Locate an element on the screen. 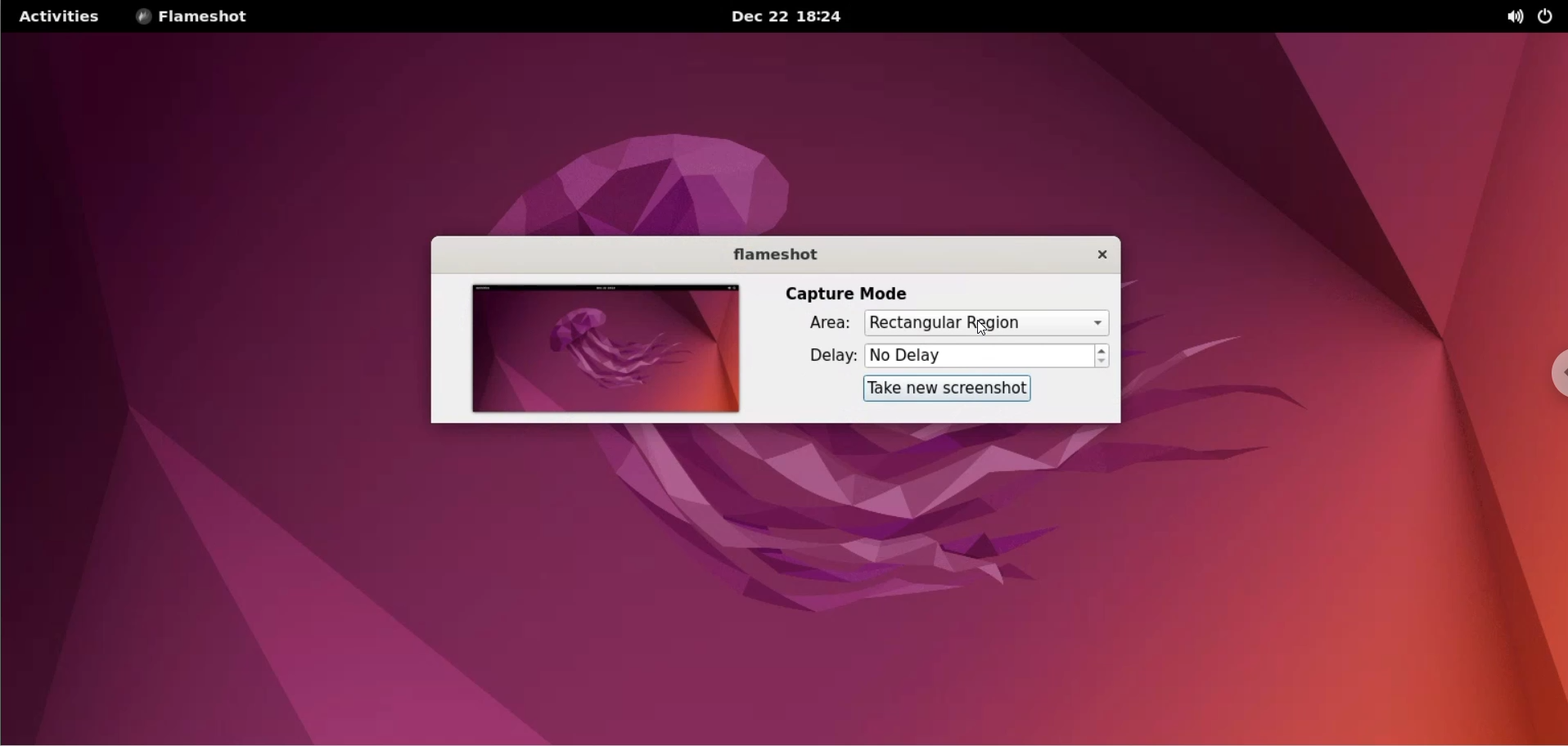  take new screenshot is located at coordinates (948, 389).